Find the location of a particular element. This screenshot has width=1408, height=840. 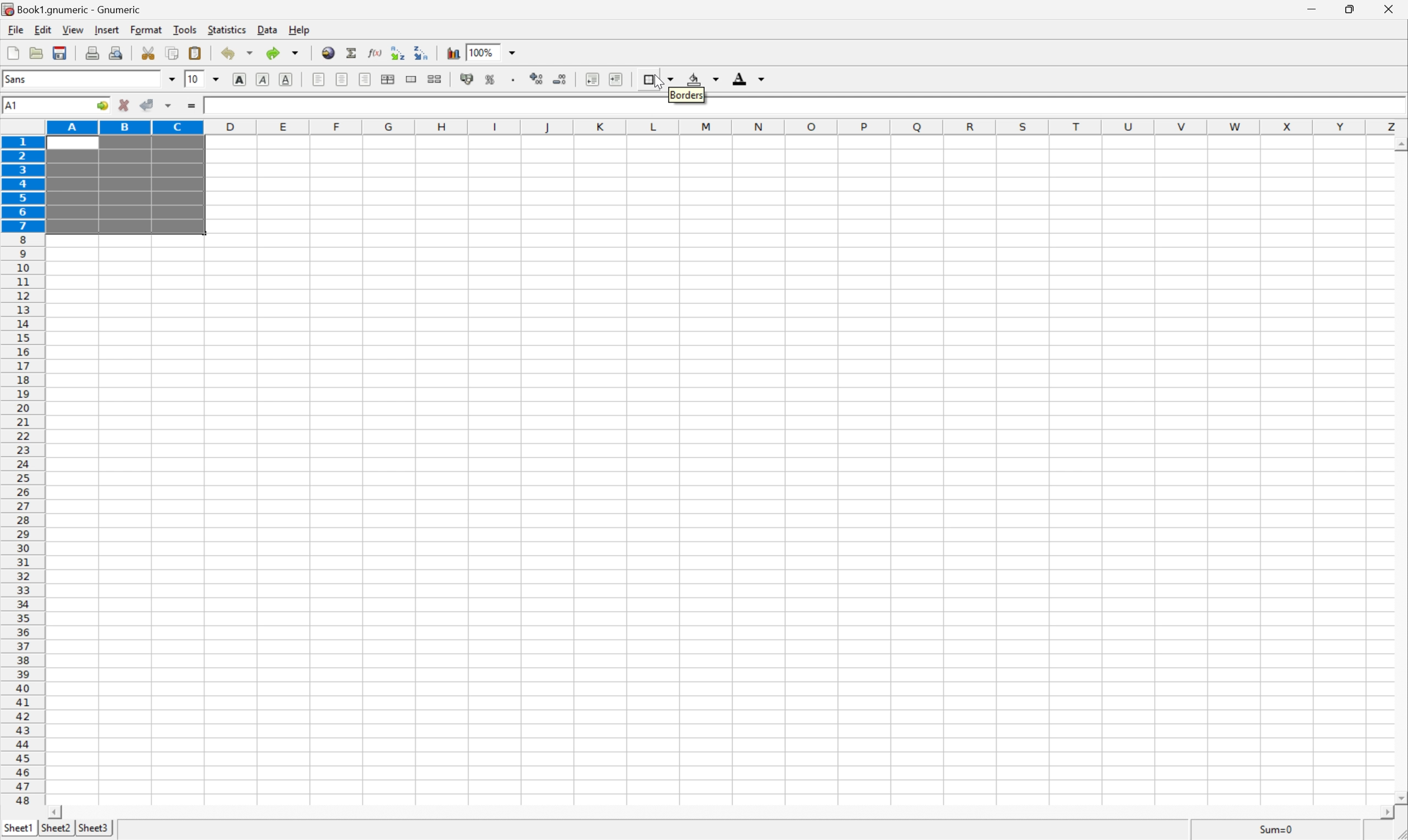

view is located at coordinates (71, 31).